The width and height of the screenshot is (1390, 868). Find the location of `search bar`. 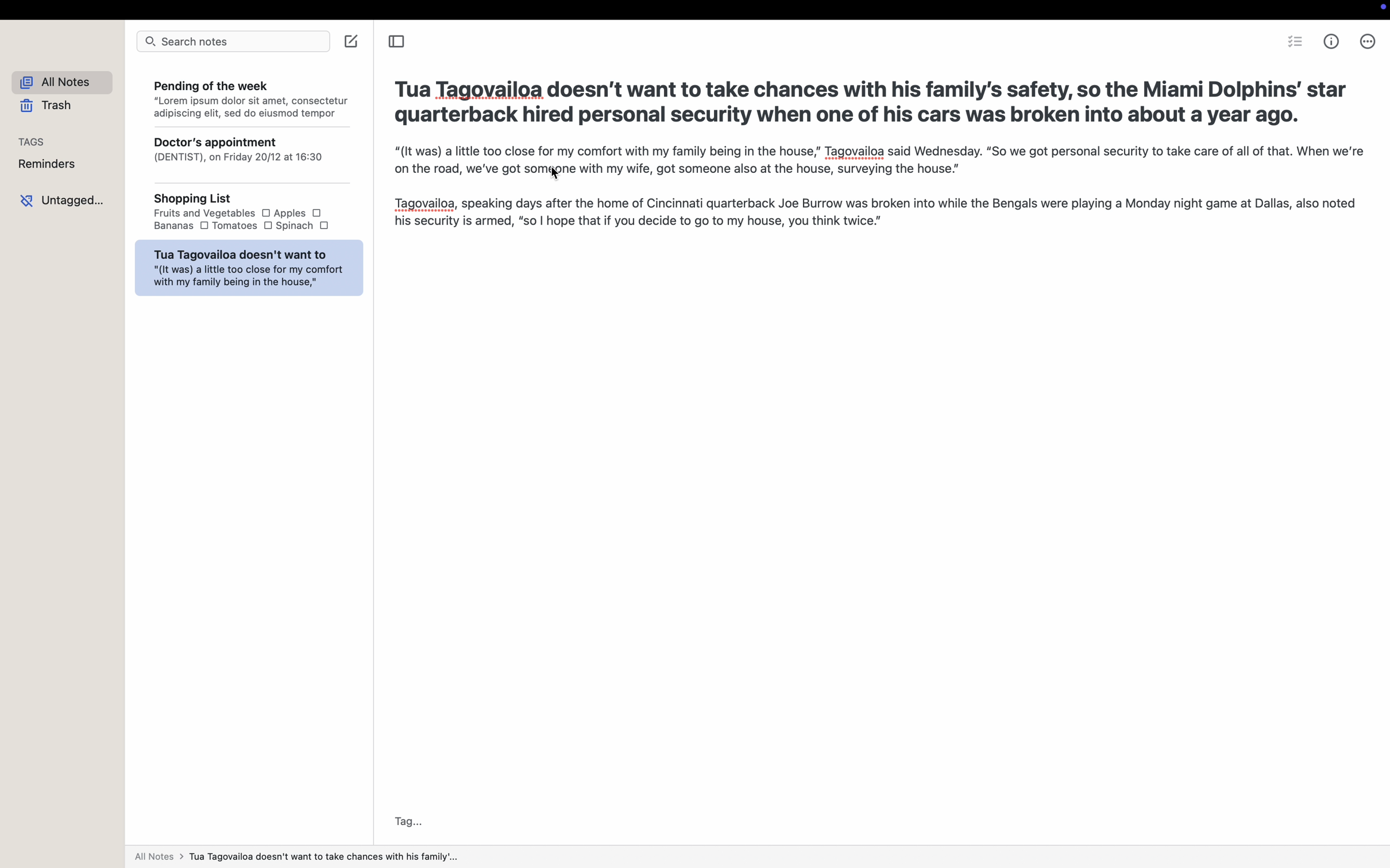

search bar is located at coordinates (231, 43).